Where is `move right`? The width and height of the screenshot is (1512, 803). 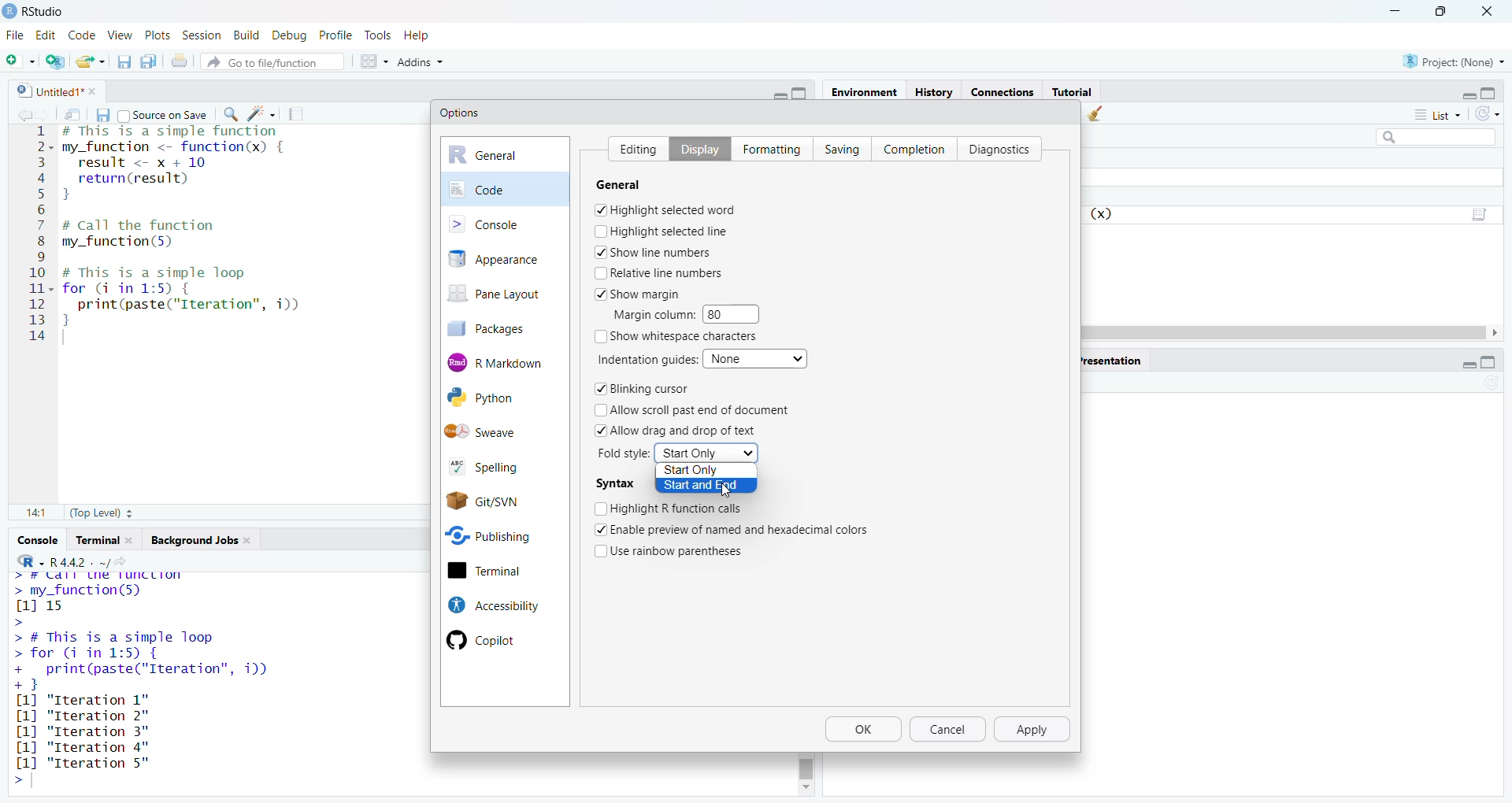
move right is located at coordinates (1501, 333).